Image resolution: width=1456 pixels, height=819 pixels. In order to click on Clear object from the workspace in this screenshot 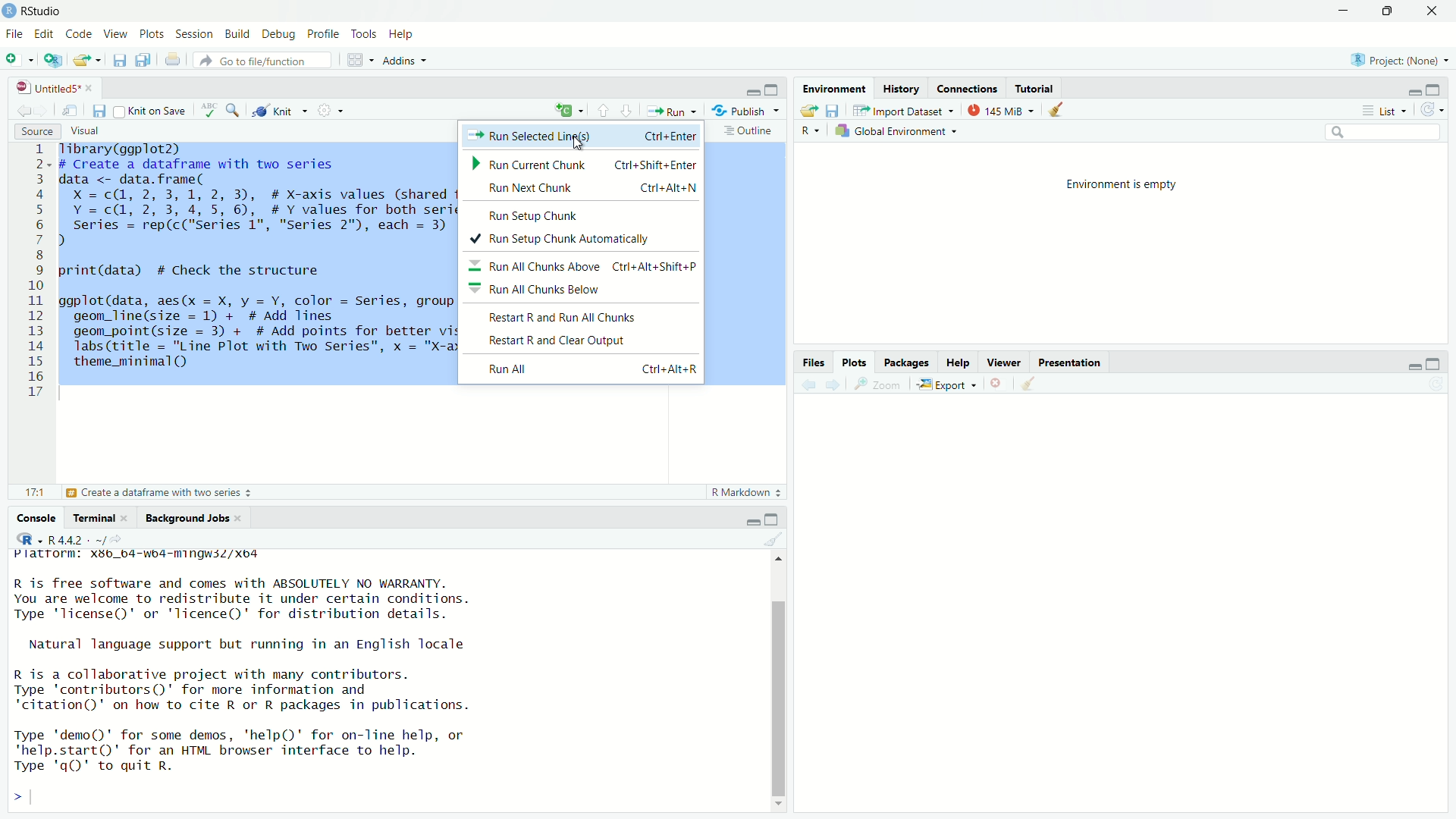, I will do `click(1059, 109)`.